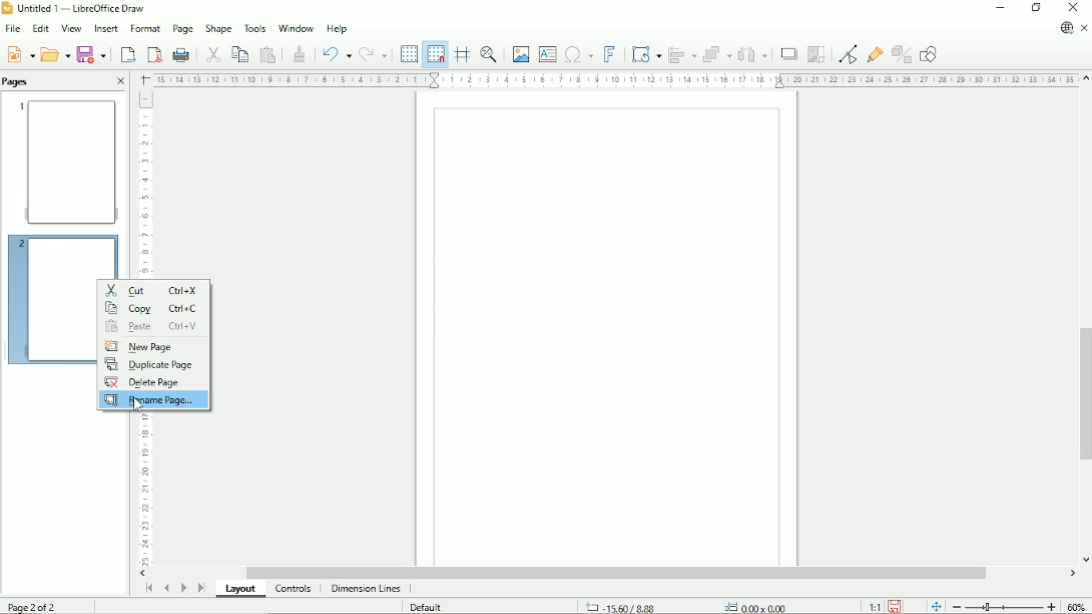 The width and height of the screenshot is (1092, 614). Describe the element at coordinates (683, 54) in the screenshot. I see `Align objects` at that location.